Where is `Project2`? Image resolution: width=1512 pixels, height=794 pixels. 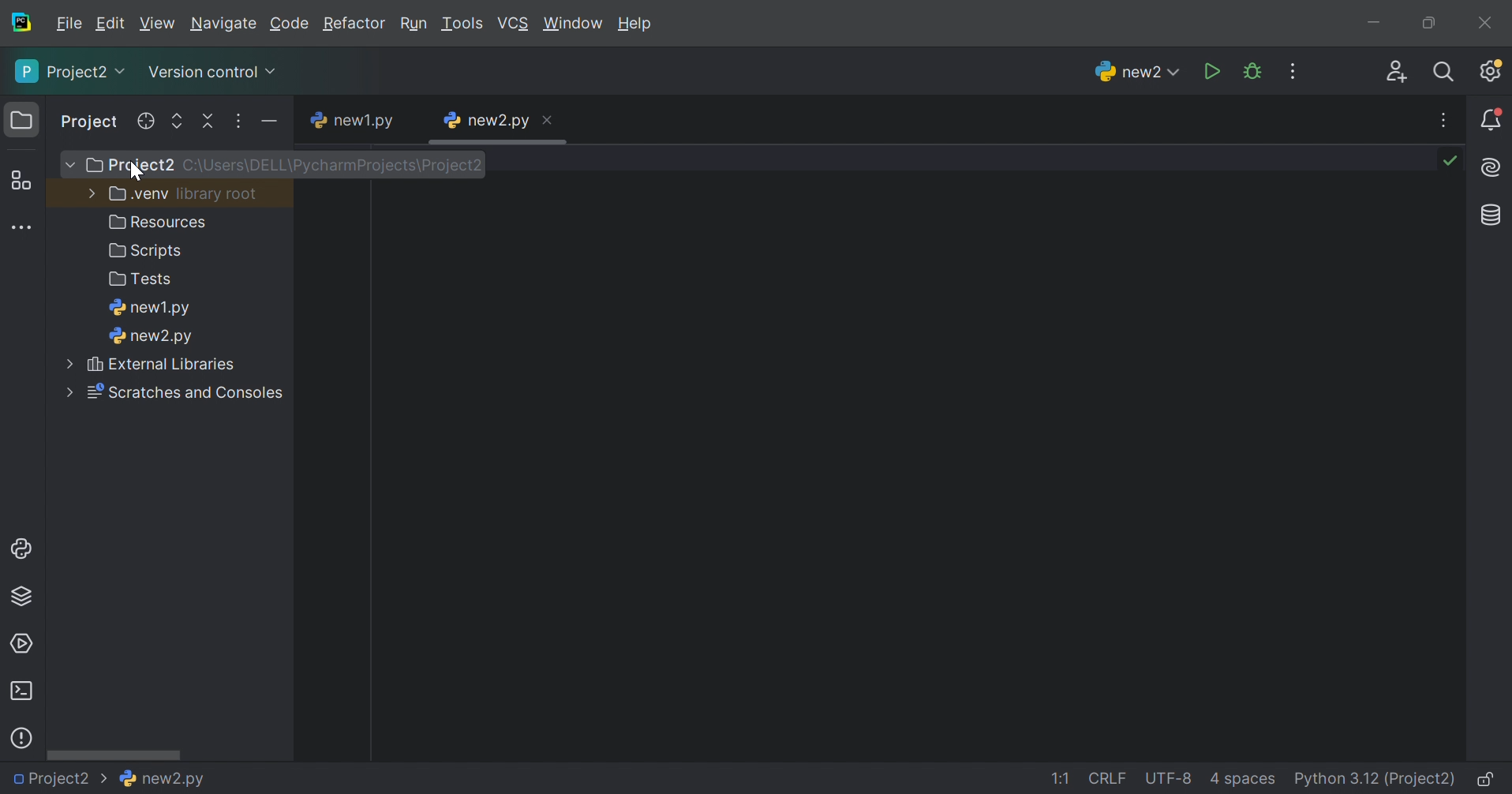 Project2 is located at coordinates (61, 780).